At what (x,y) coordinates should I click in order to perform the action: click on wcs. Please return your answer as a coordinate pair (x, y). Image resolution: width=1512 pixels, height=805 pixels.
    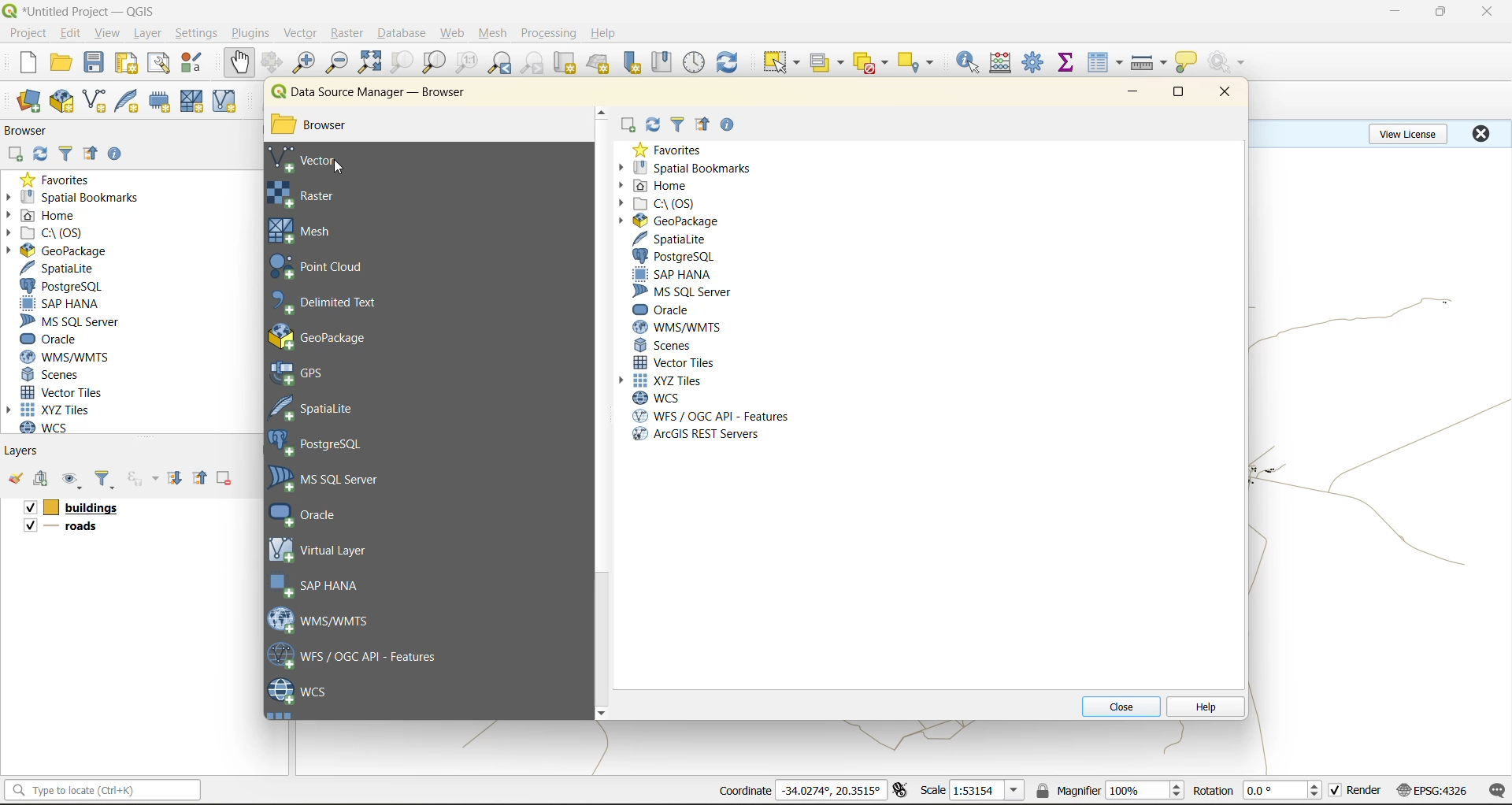
    Looking at the image, I should click on (53, 428).